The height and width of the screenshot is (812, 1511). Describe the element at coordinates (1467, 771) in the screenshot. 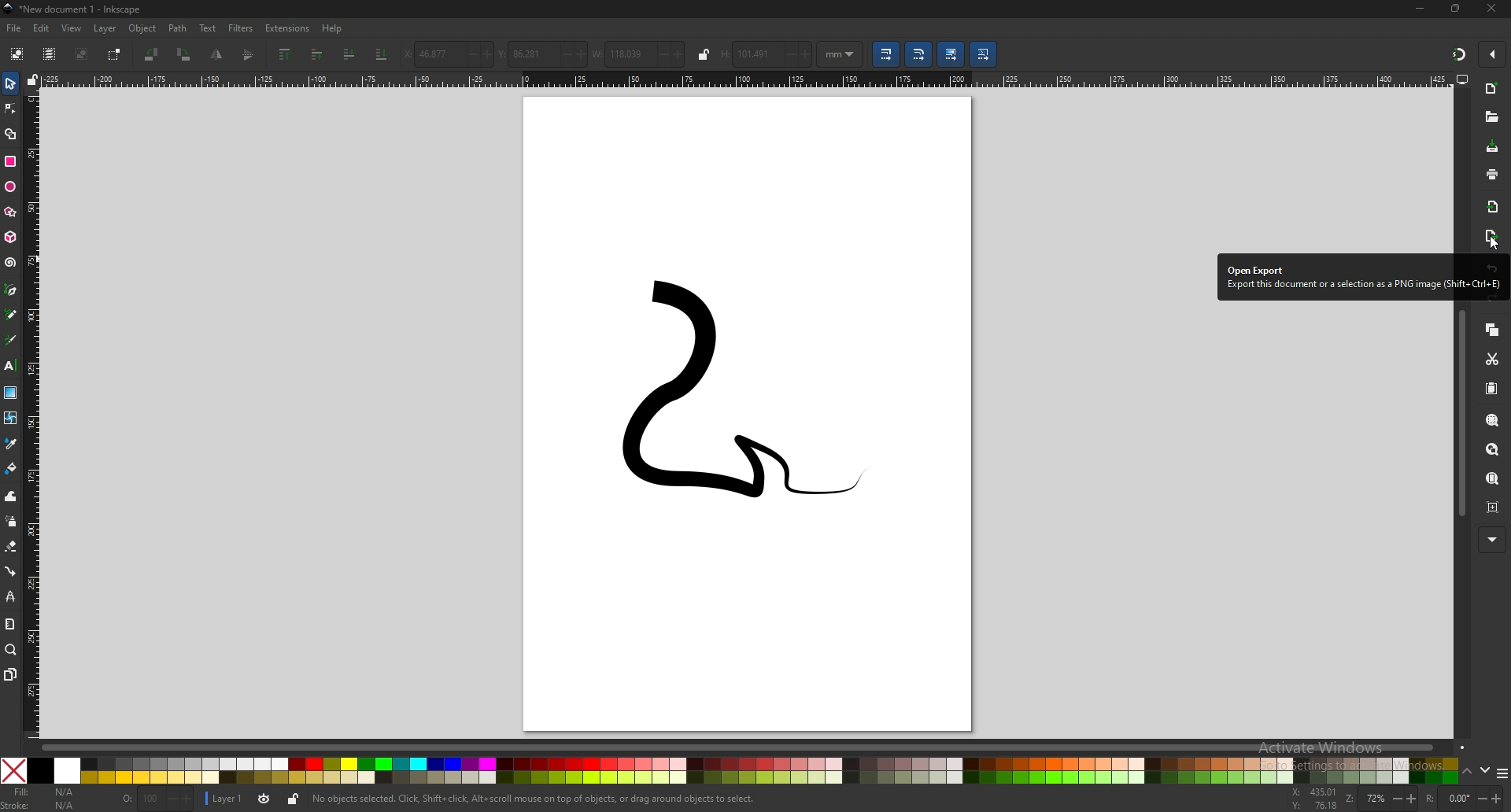

I see `up` at that location.